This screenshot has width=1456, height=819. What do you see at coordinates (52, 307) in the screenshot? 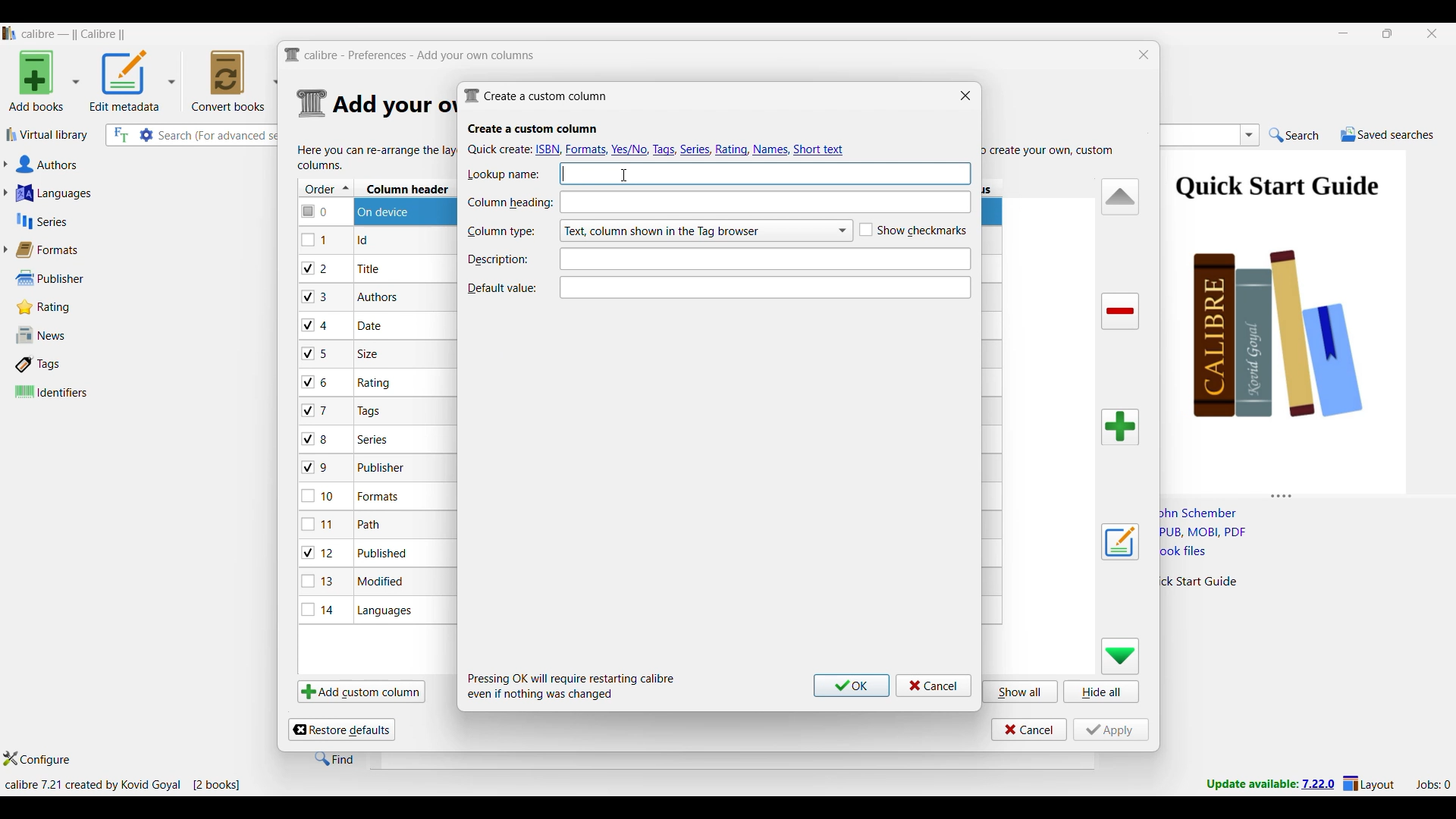
I see `Rating` at bounding box center [52, 307].